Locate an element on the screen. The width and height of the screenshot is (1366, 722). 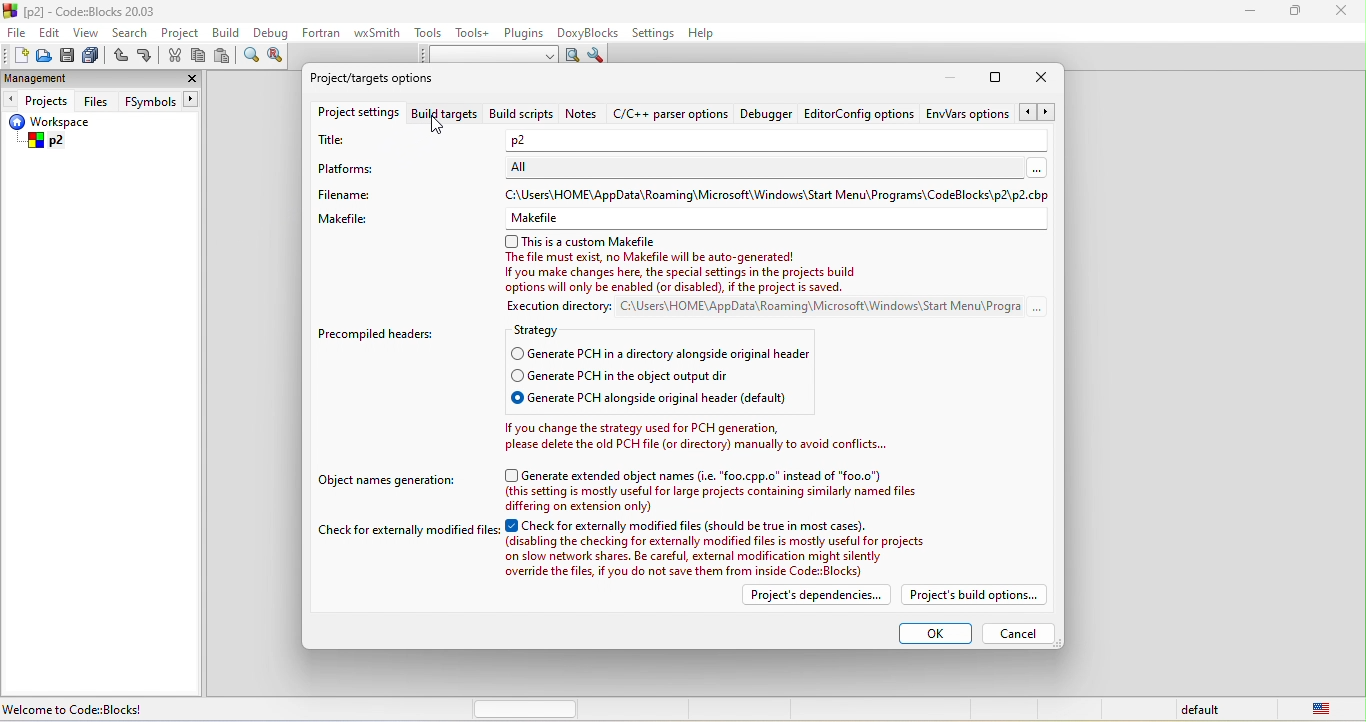
default is located at coordinates (1203, 710).